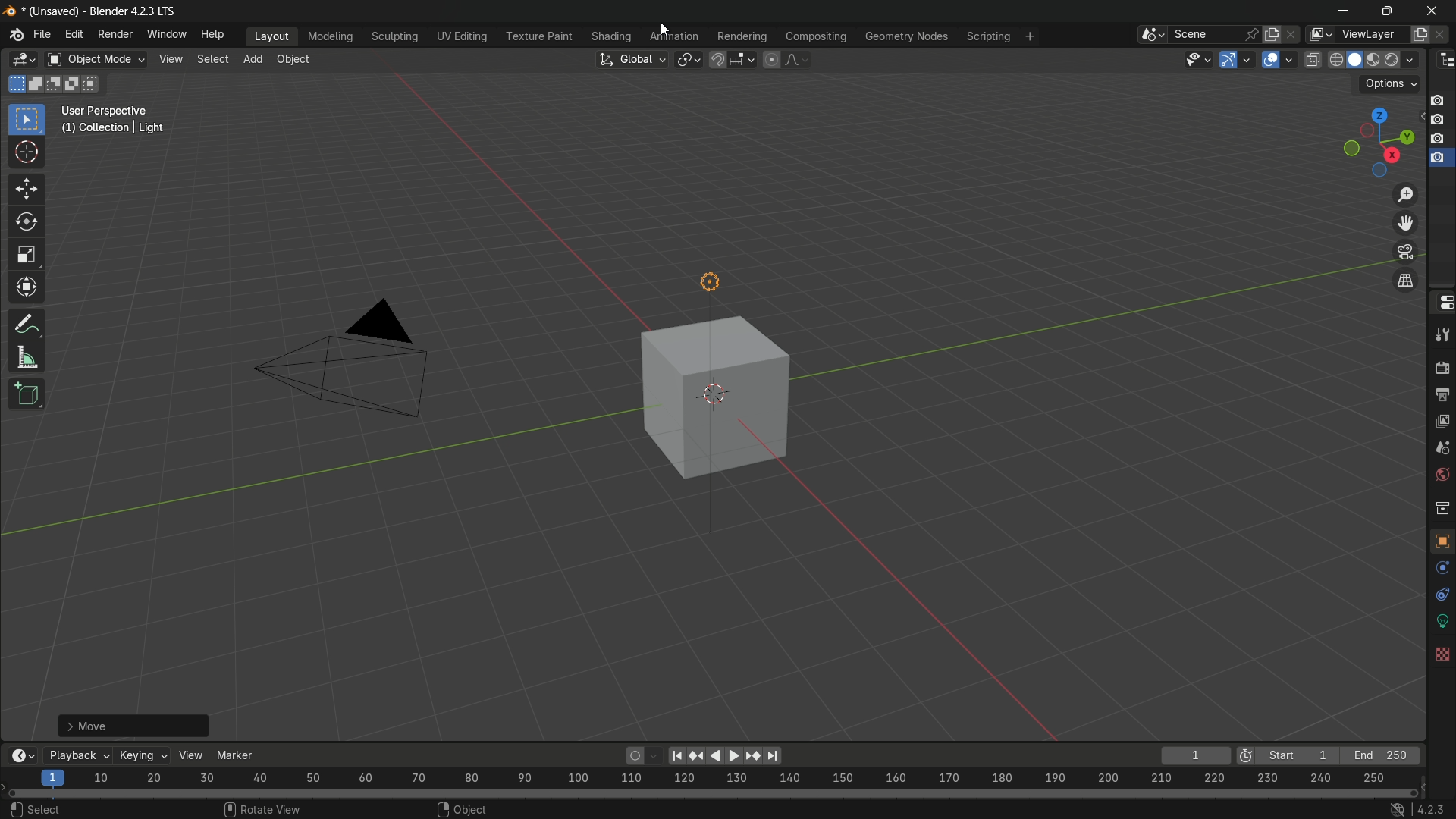 This screenshot has width=1456, height=819. What do you see at coordinates (1441, 648) in the screenshot?
I see `constraints` at bounding box center [1441, 648].